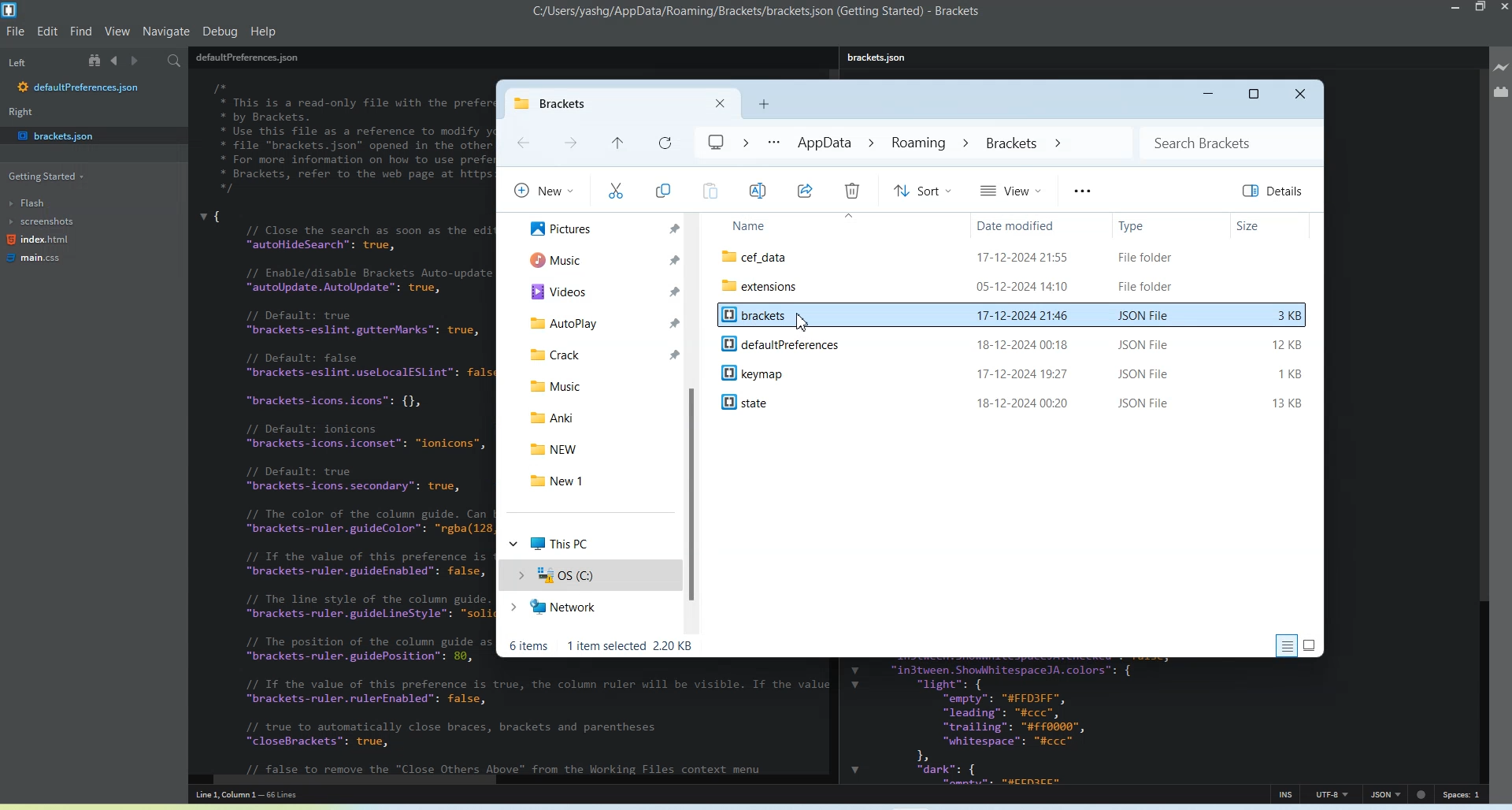  Describe the element at coordinates (49, 30) in the screenshot. I see `Edit` at that location.